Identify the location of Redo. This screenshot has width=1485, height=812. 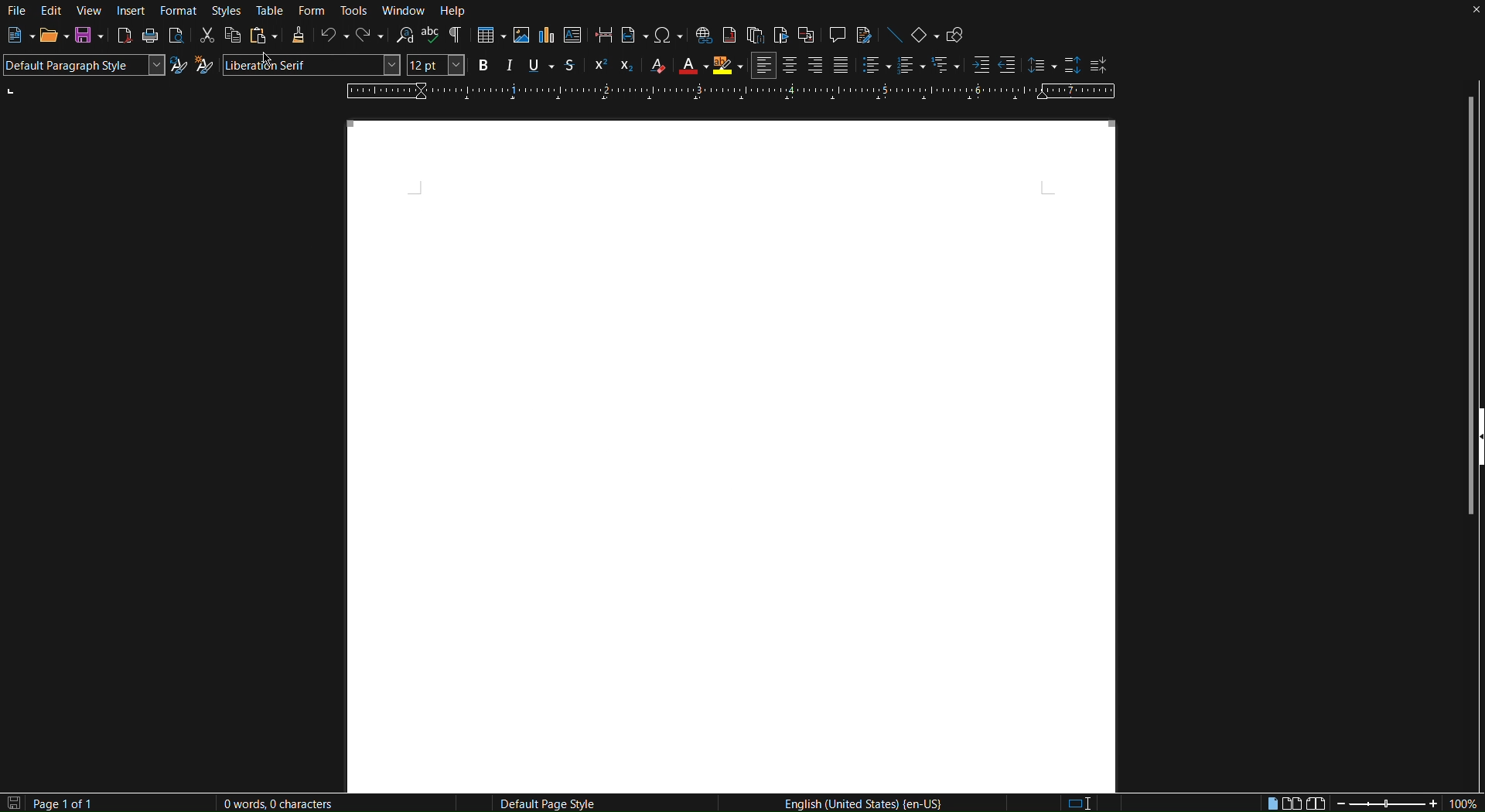
(367, 38).